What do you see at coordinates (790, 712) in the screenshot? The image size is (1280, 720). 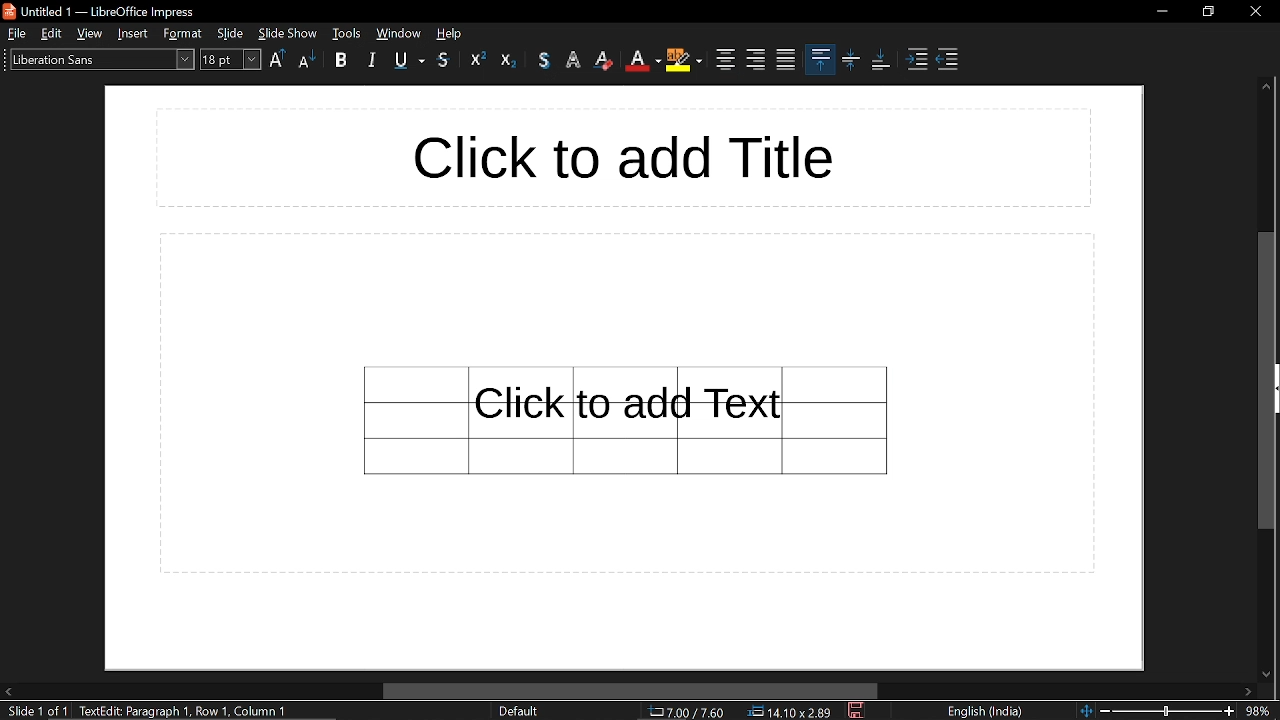 I see `dimension` at bounding box center [790, 712].